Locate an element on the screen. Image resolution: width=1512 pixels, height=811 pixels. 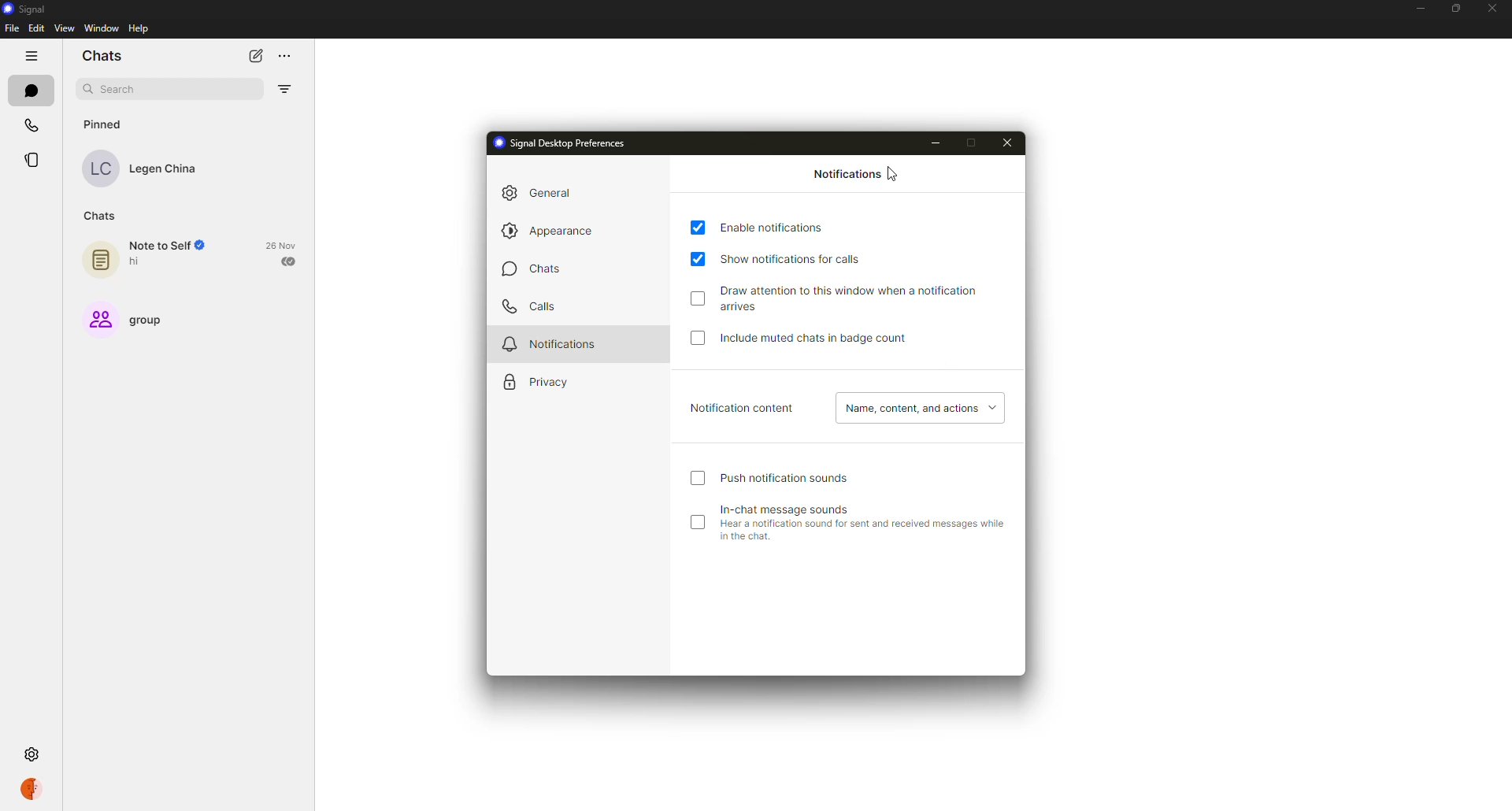
enable notifications is located at coordinates (773, 227).